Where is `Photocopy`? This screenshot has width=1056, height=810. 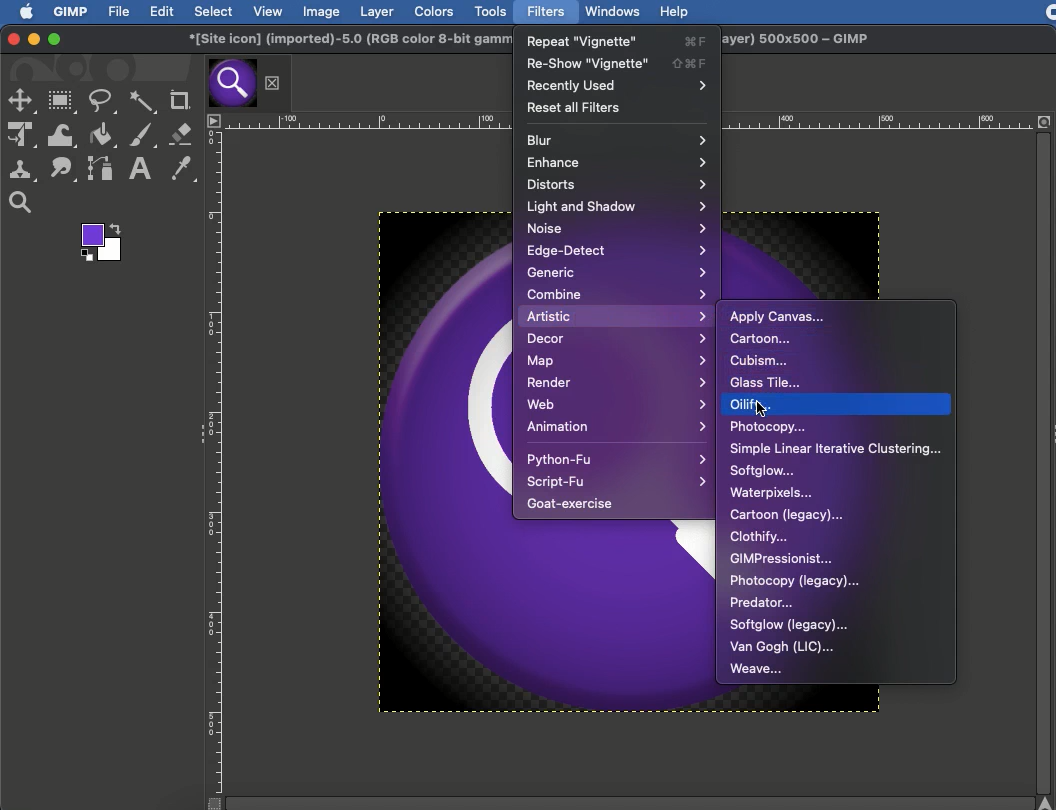 Photocopy is located at coordinates (768, 428).